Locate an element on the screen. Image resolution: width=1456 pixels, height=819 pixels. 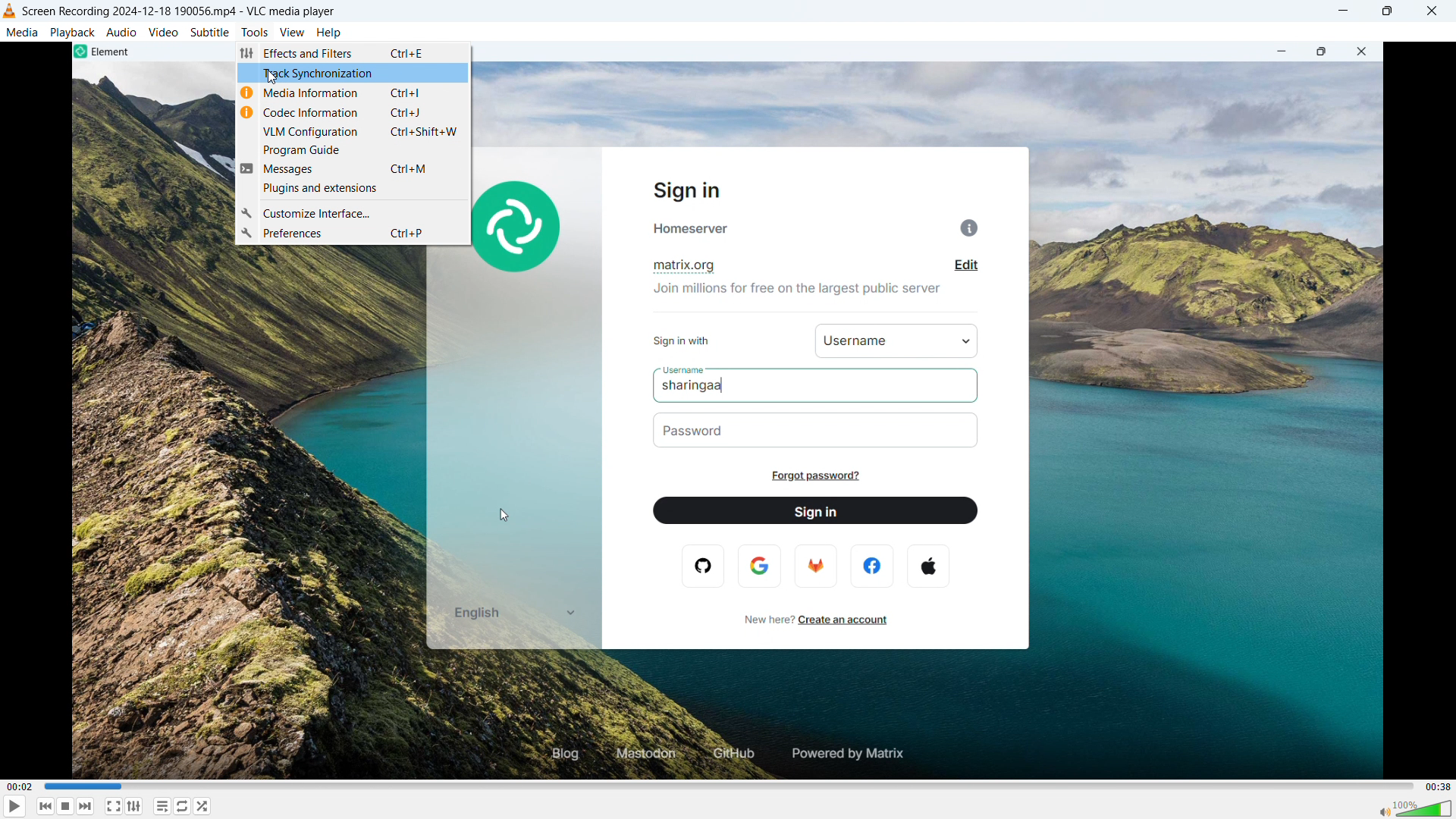
plugins and extension is located at coordinates (353, 188).